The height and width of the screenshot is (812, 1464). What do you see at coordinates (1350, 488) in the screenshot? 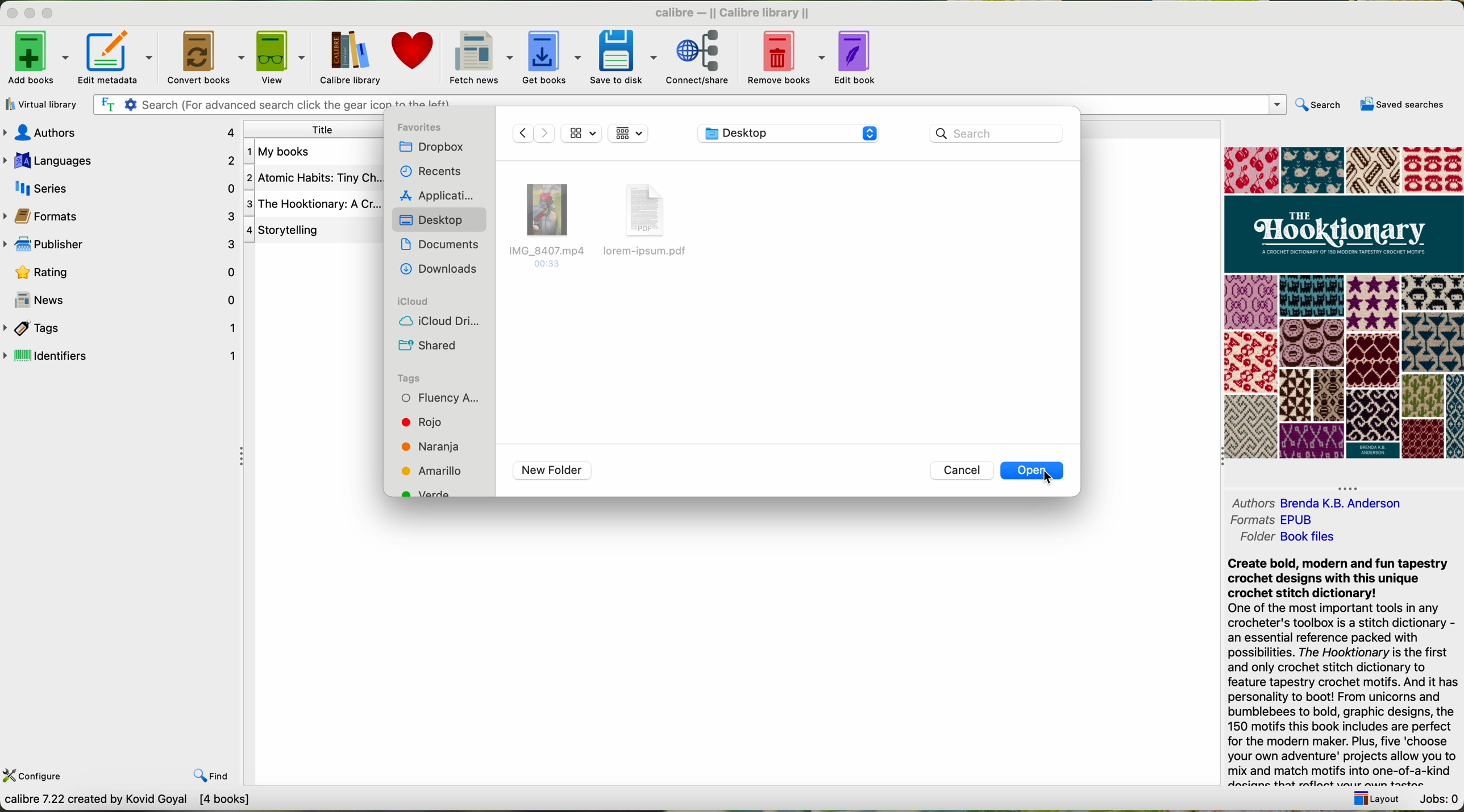
I see `Collapse` at bounding box center [1350, 488].